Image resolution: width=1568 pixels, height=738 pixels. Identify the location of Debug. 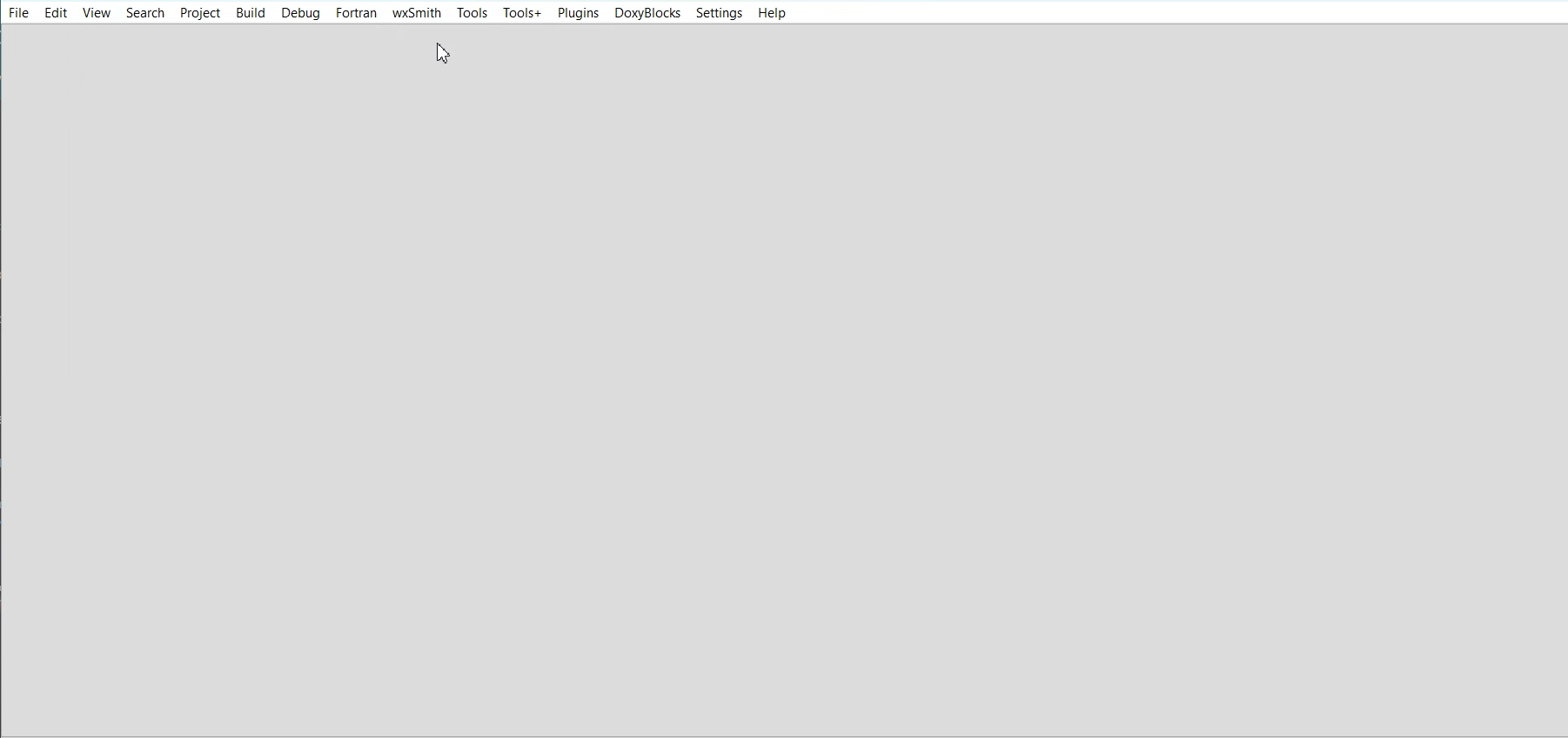
(302, 13).